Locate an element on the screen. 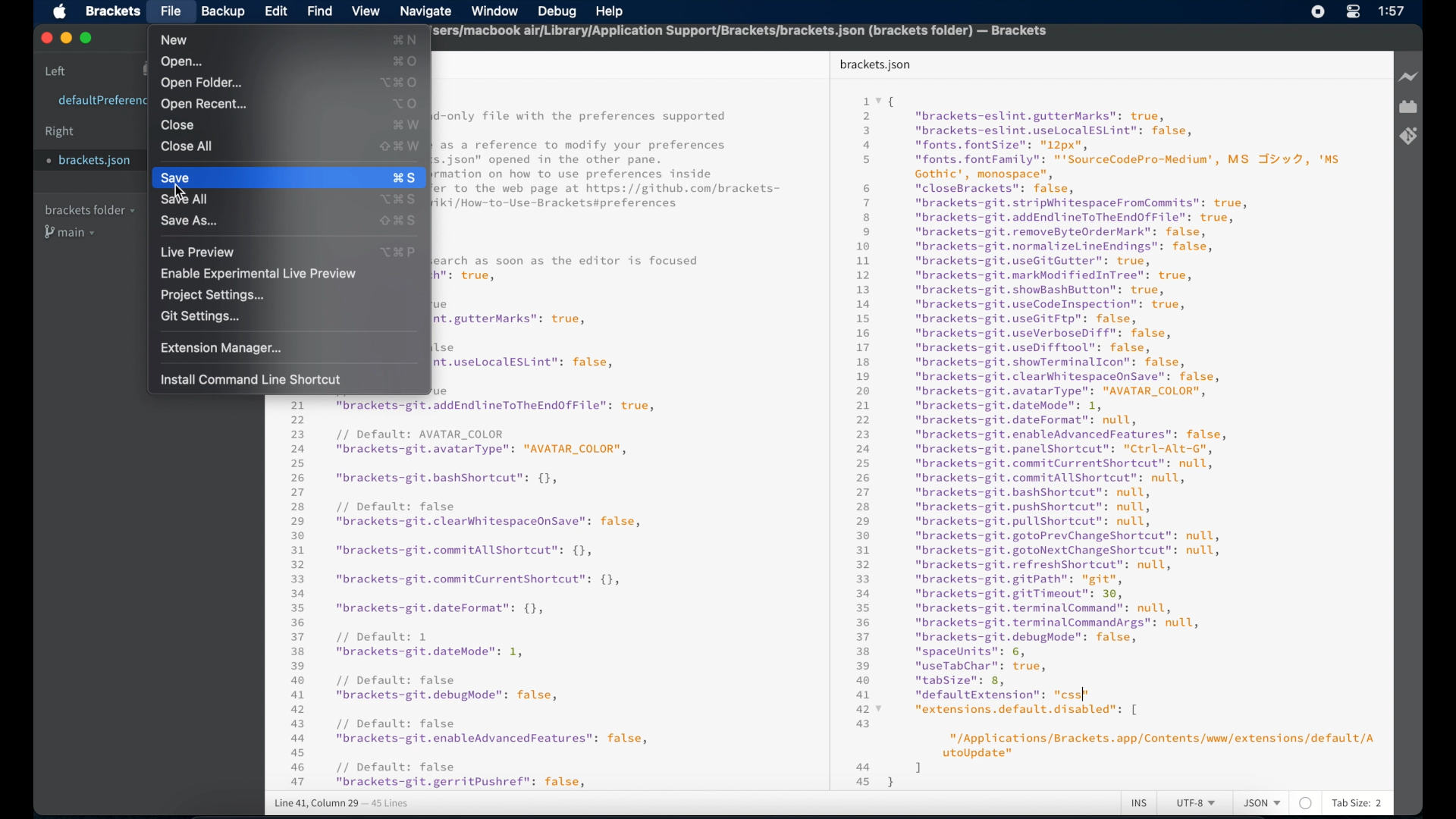 This screenshot has height=819, width=1456. new shortcut is located at coordinates (403, 38).